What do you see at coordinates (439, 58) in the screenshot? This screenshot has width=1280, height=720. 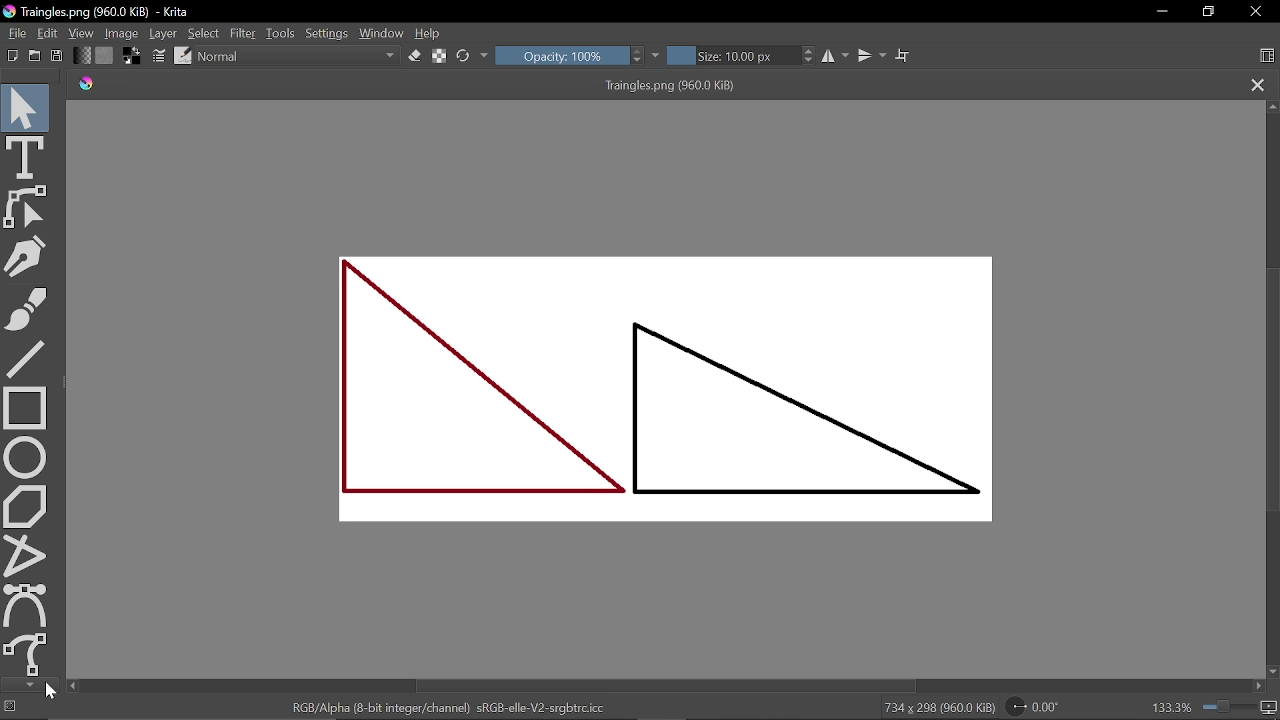 I see `Preserve alpha` at bounding box center [439, 58].